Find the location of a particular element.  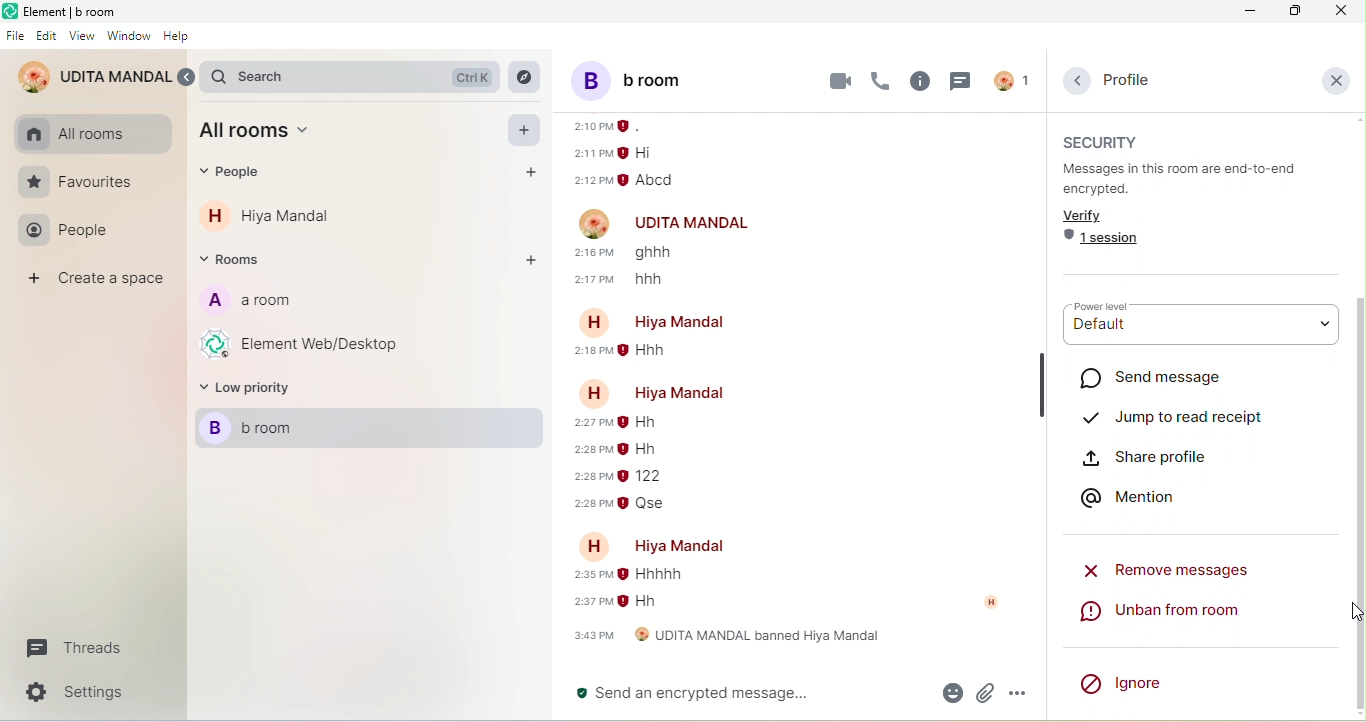

sending message time is located at coordinates (583, 452).